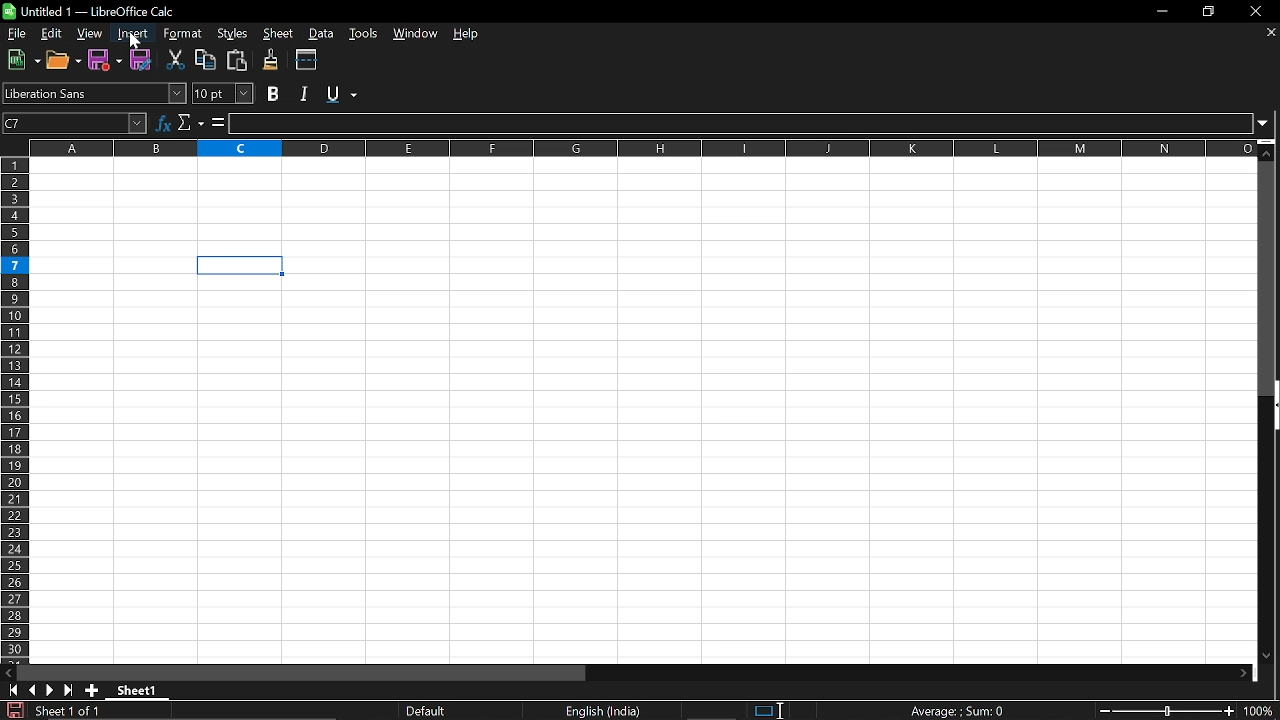  What do you see at coordinates (50, 690) in the screenshot?
I see `Next sheet` at bounding box center [50, 690].